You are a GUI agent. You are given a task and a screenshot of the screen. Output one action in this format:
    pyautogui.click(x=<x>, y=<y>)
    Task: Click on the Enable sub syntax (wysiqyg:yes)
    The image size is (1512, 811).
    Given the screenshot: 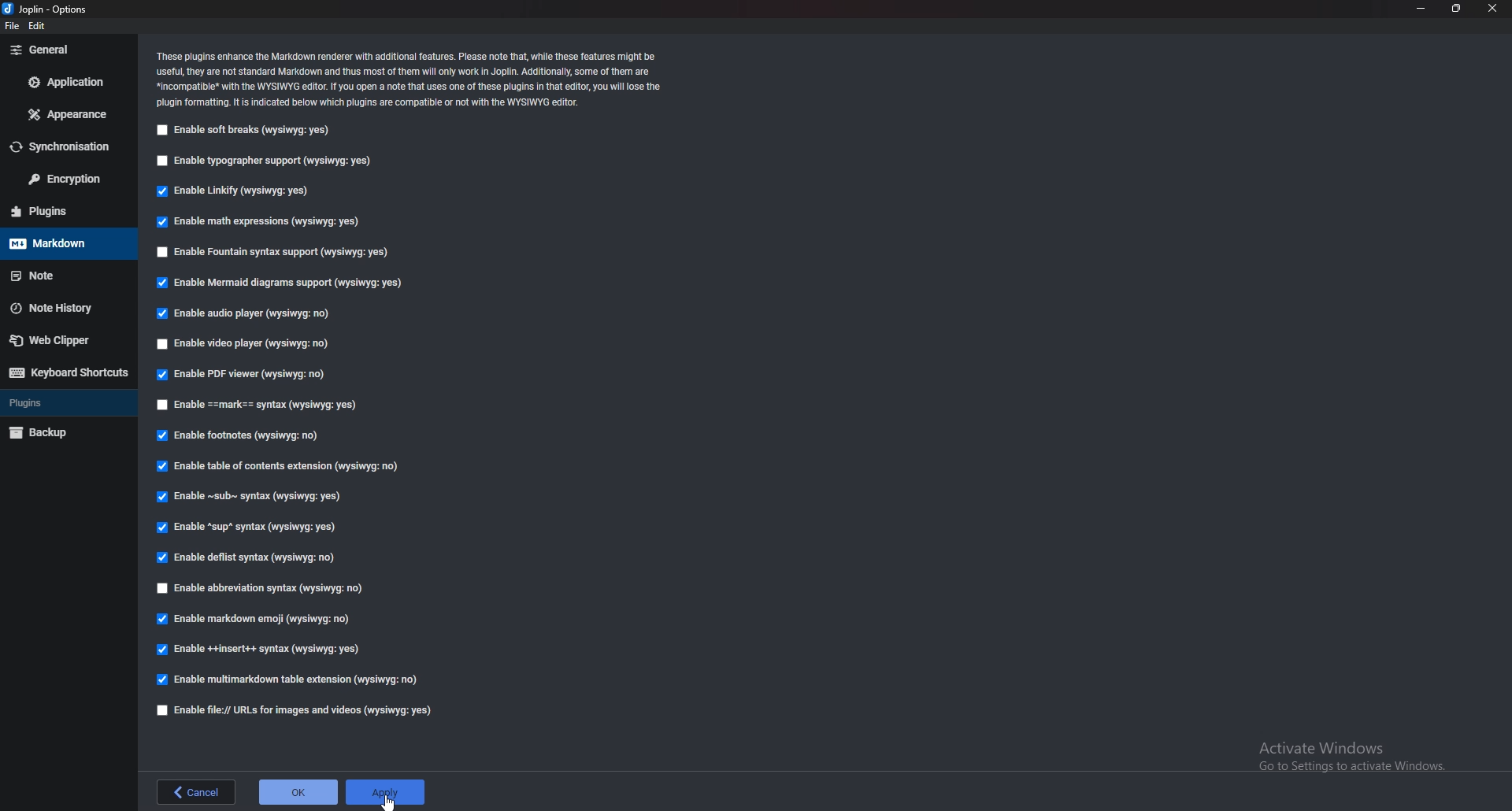 What is the action you would take?
    pyautogui.click(x=252, y=498)
    